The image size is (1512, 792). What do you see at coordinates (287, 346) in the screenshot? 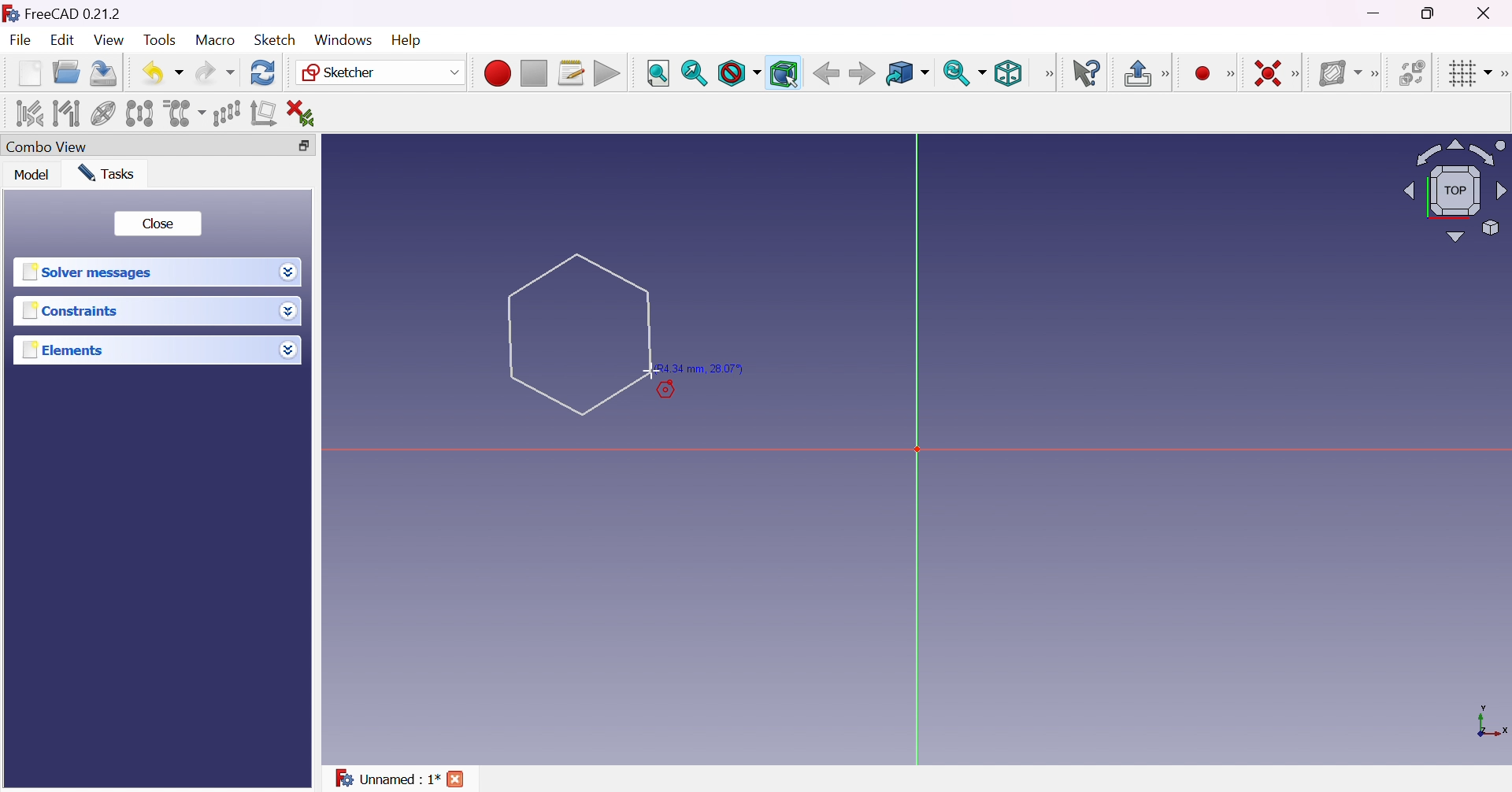
I see `Drop down` at bounding box center [287, 346].